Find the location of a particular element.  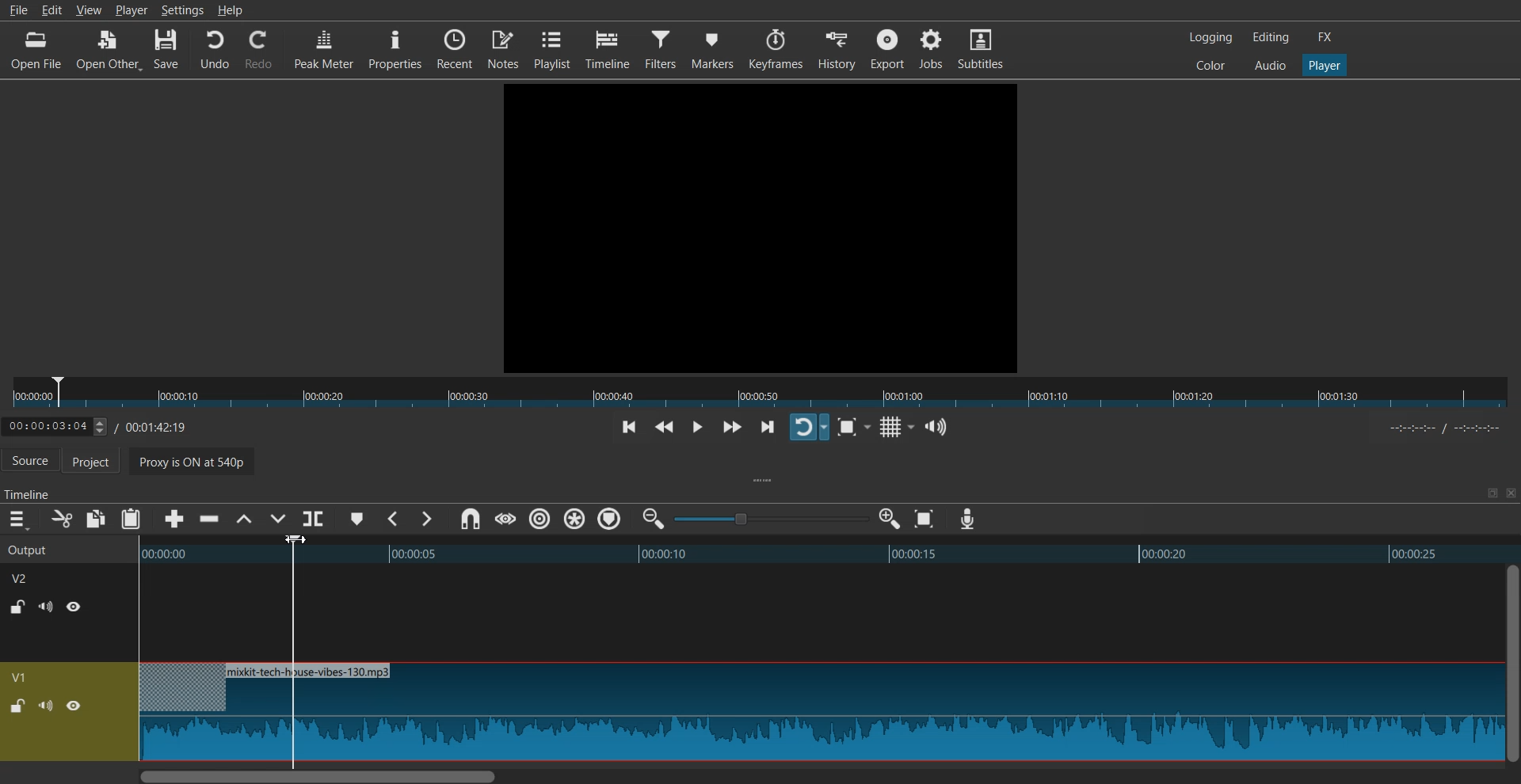

Cut is located at coordinates (62, 519).